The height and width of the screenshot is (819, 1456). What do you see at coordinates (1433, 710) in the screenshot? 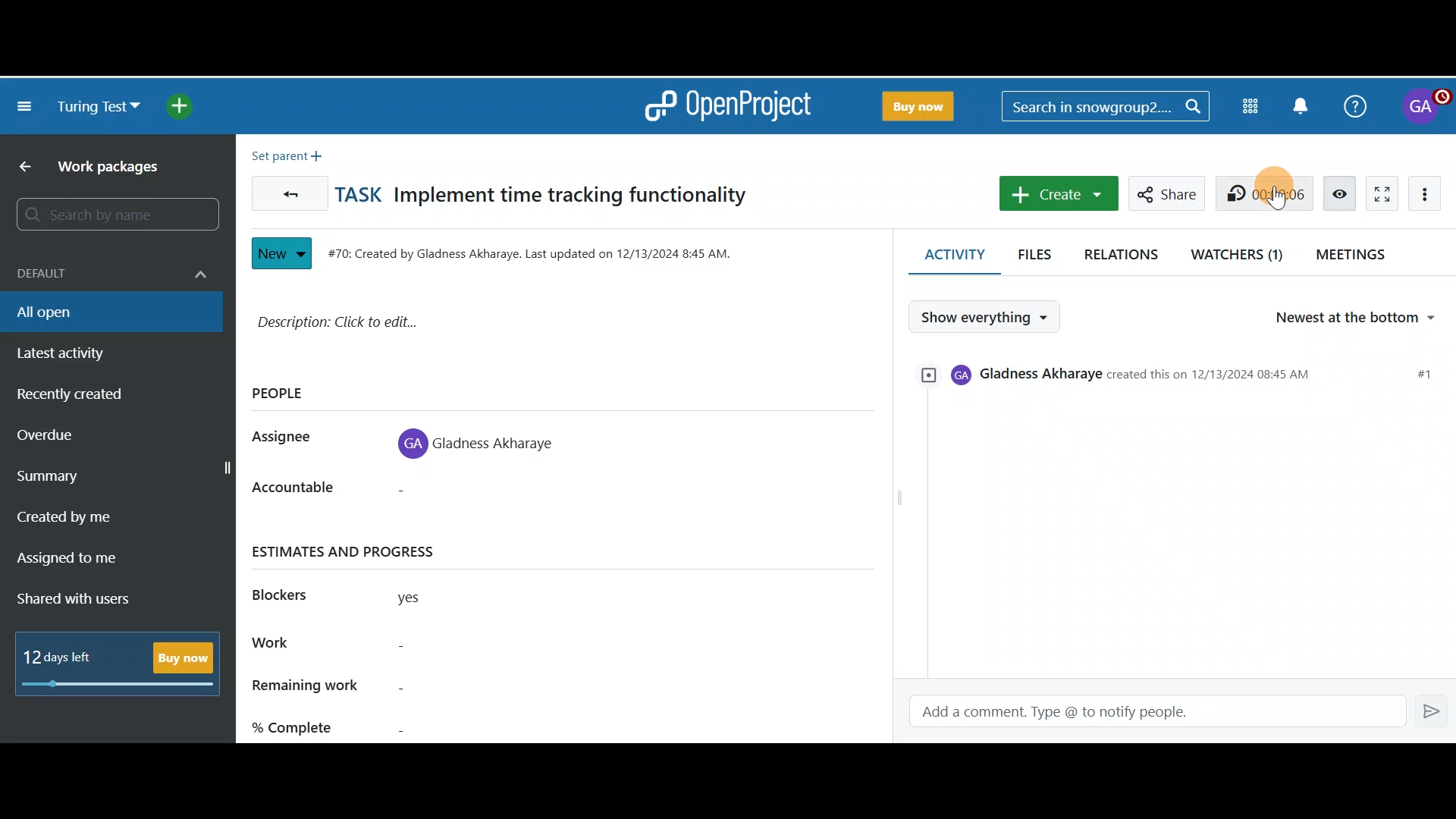
I see `Enter` at bounding box center [1433, 710].